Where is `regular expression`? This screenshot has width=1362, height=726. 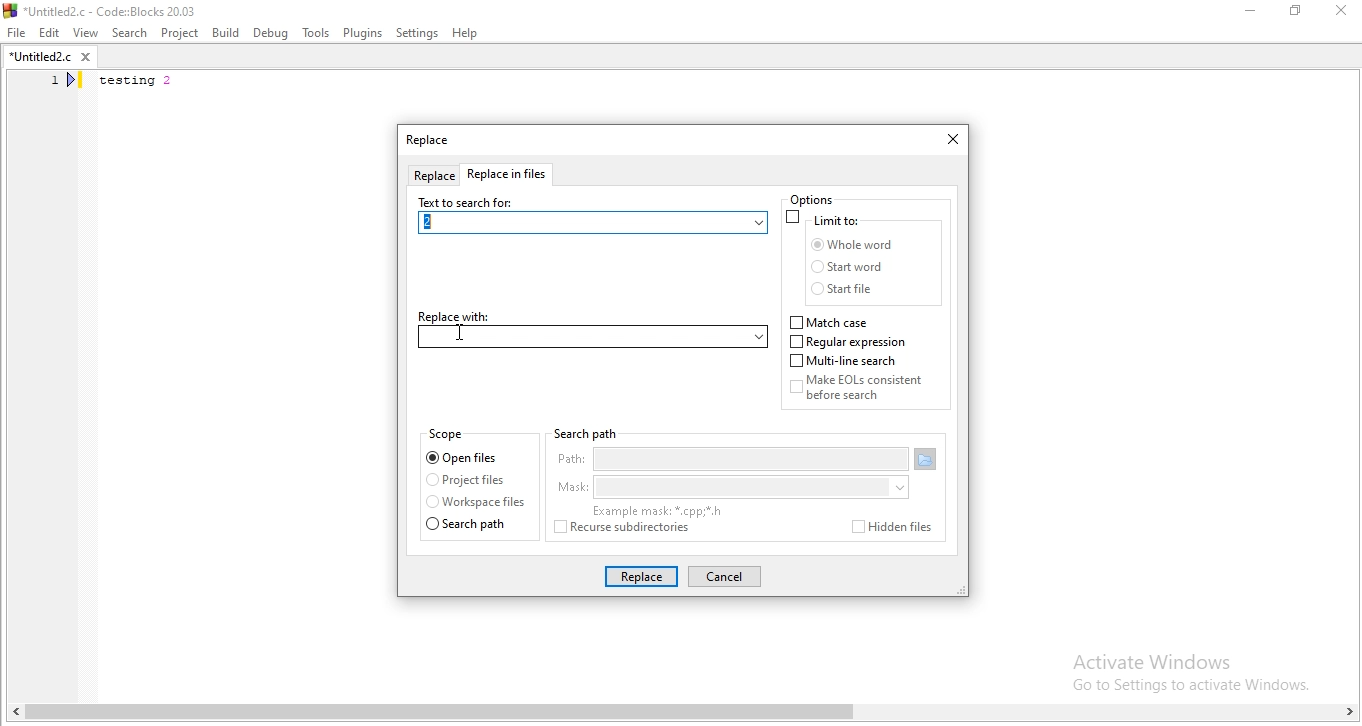
regular expression is located at coordinates (851, 342).